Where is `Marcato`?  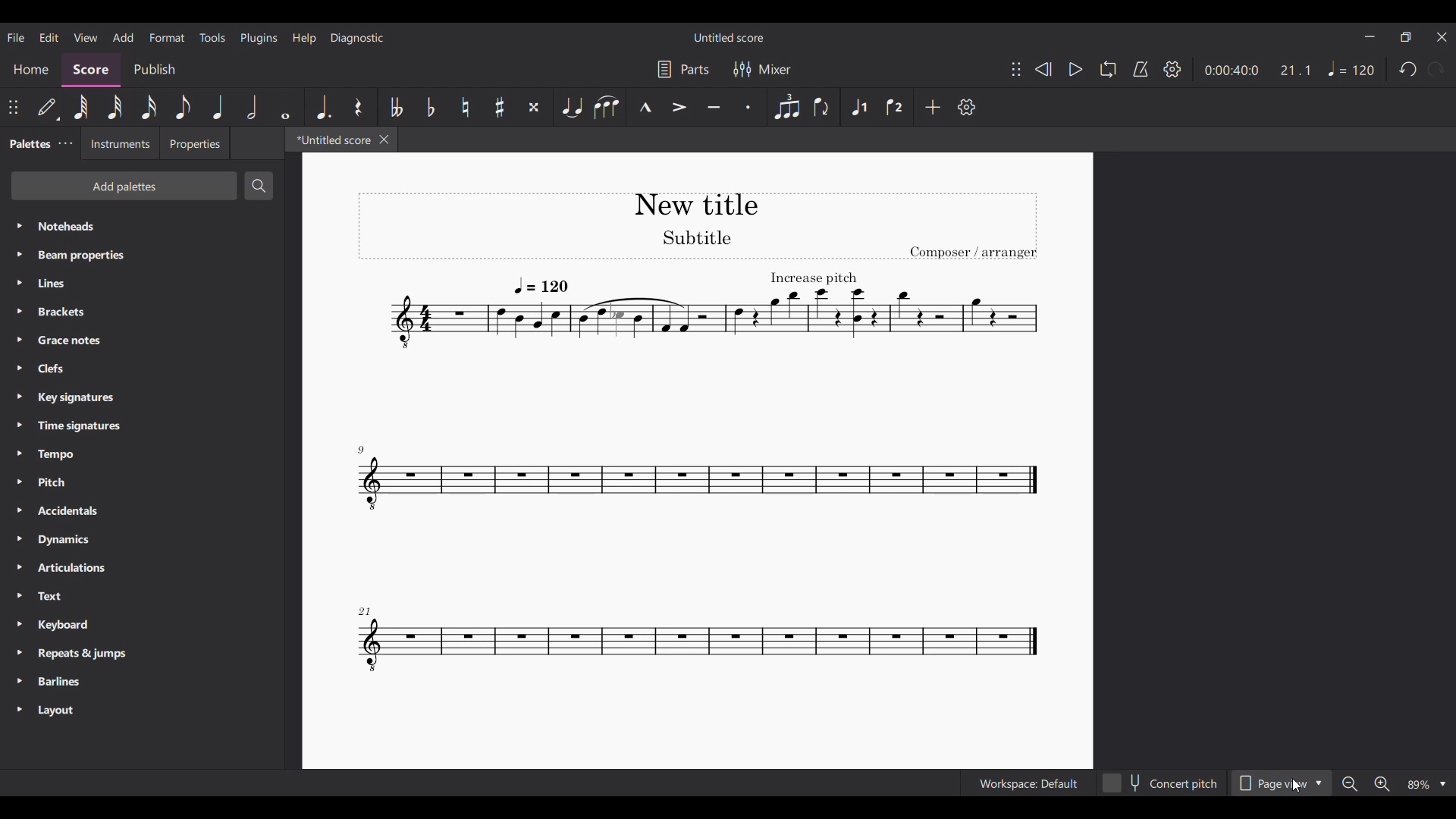
Marcato is located at coordinates (645, 107).